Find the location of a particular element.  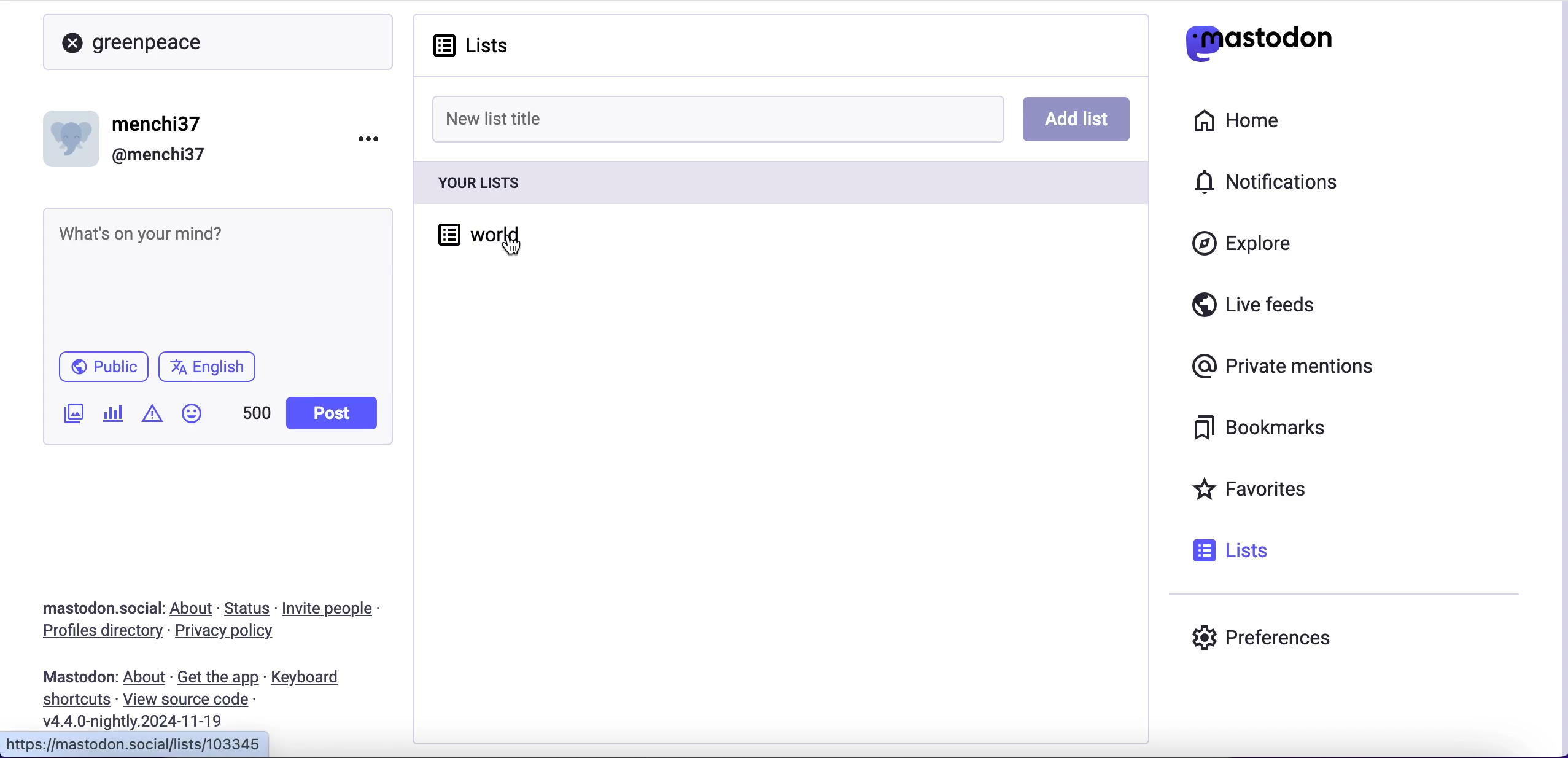

close is located at coordinates (72, 44).